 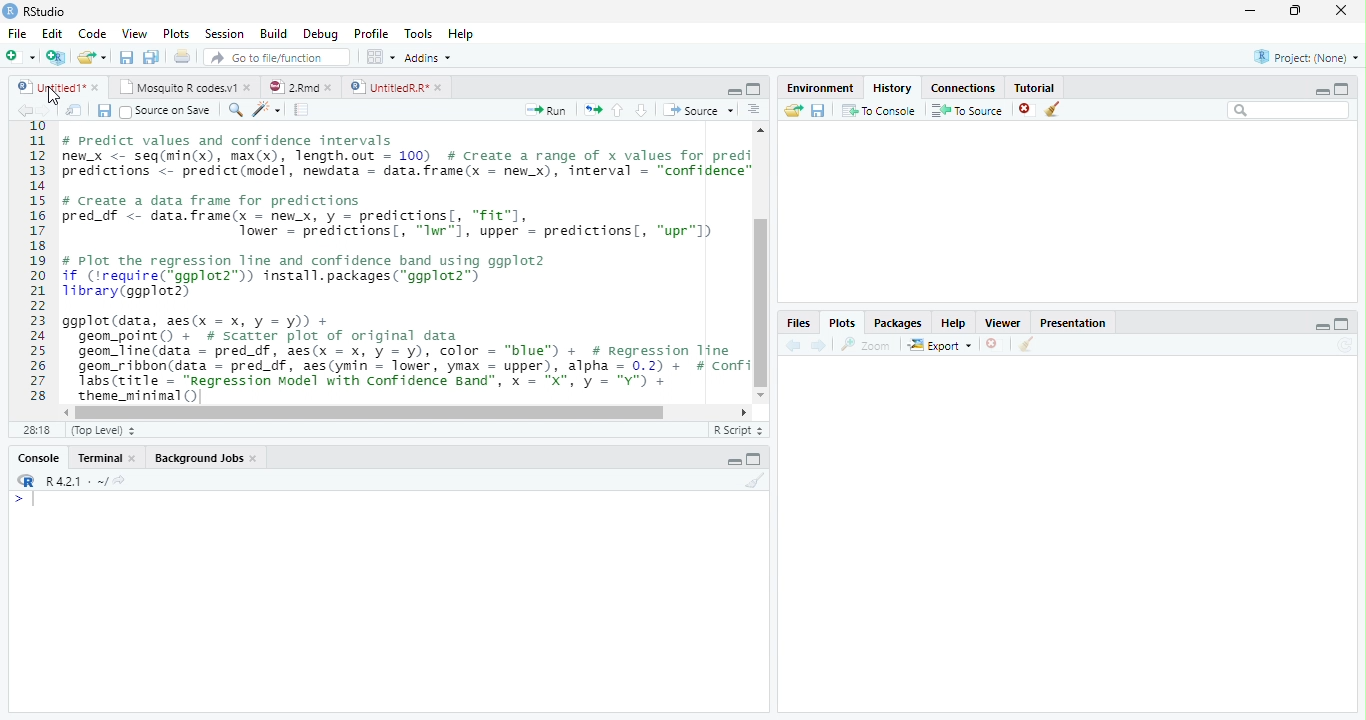 I want to click on Debug, so click(x=324, y=36).